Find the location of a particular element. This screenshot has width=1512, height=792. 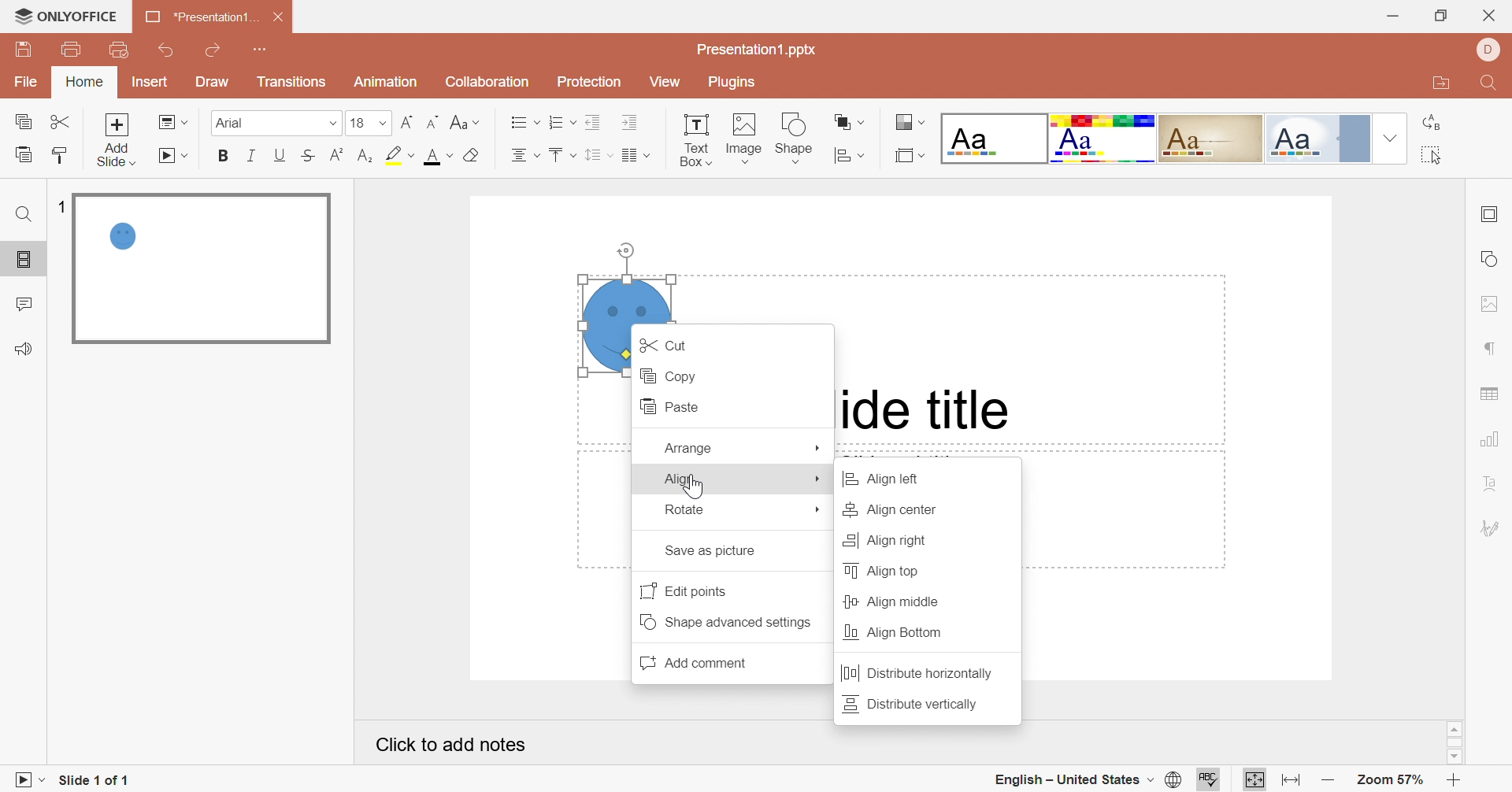

Home is located at coordinates (86, 81).